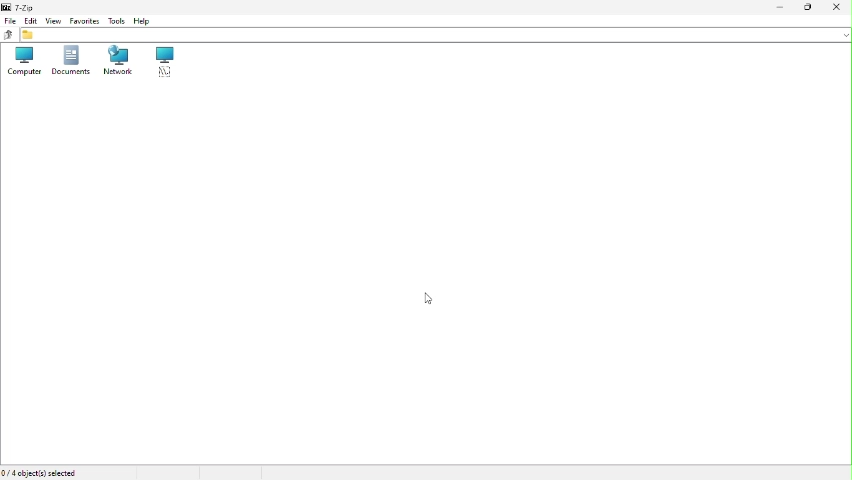  What do you see at coordinates (807, 7) in the screenshot?
I see `Restore` at bounding box center [807, 7].